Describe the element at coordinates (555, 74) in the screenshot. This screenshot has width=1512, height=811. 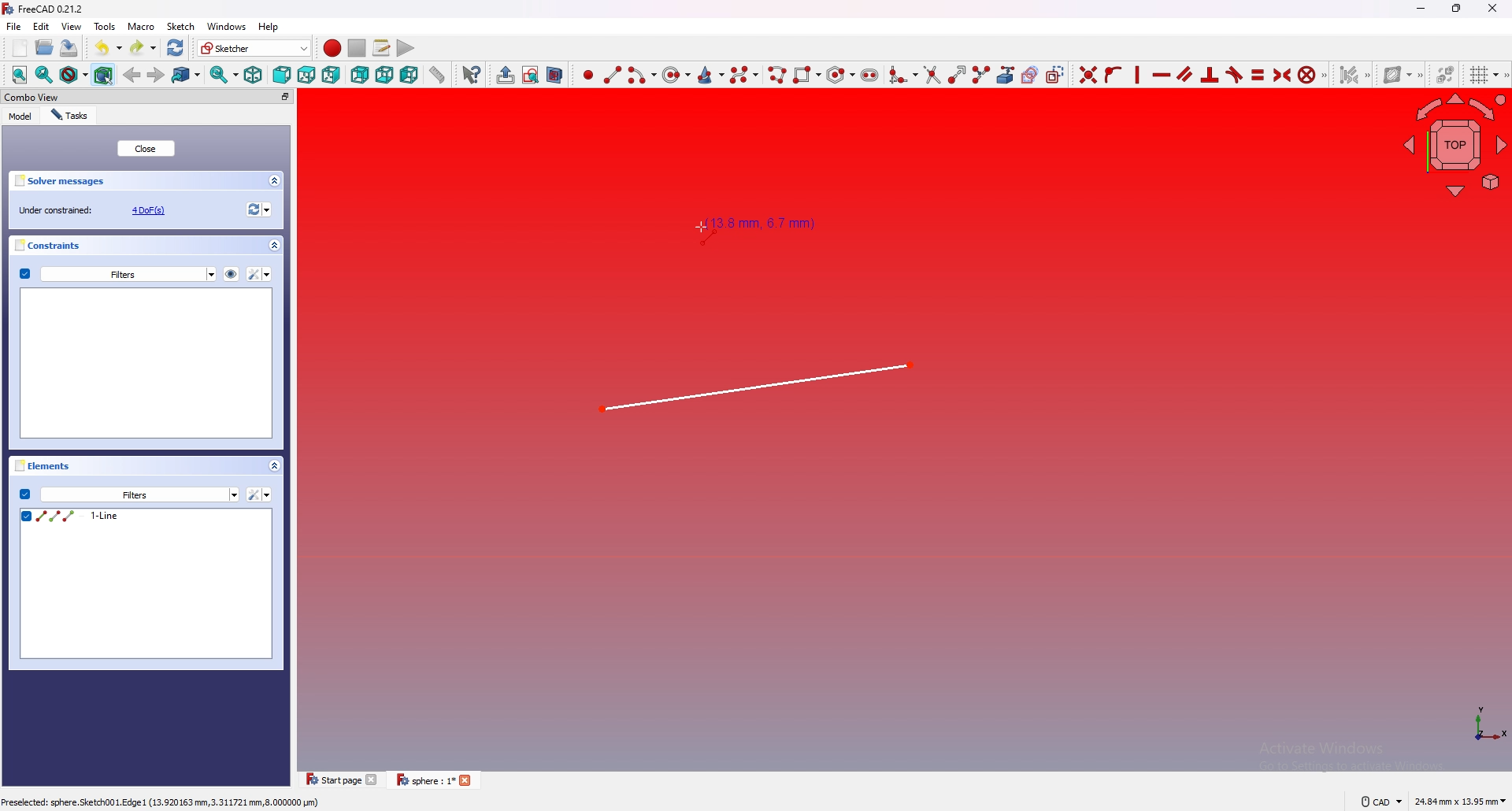
I see `View section` at that location.